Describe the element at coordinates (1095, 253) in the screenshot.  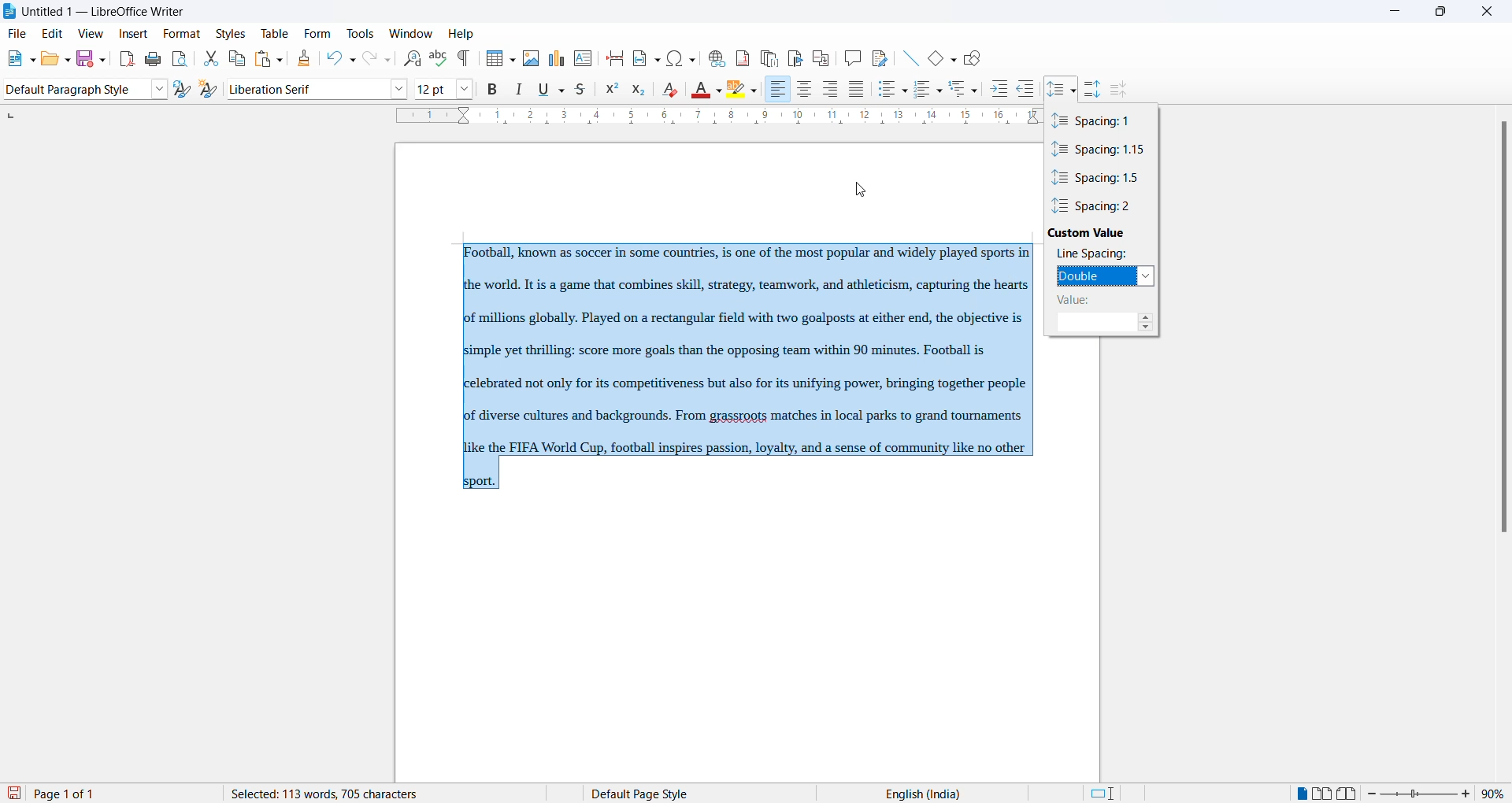
I see `line spacing` at that location.